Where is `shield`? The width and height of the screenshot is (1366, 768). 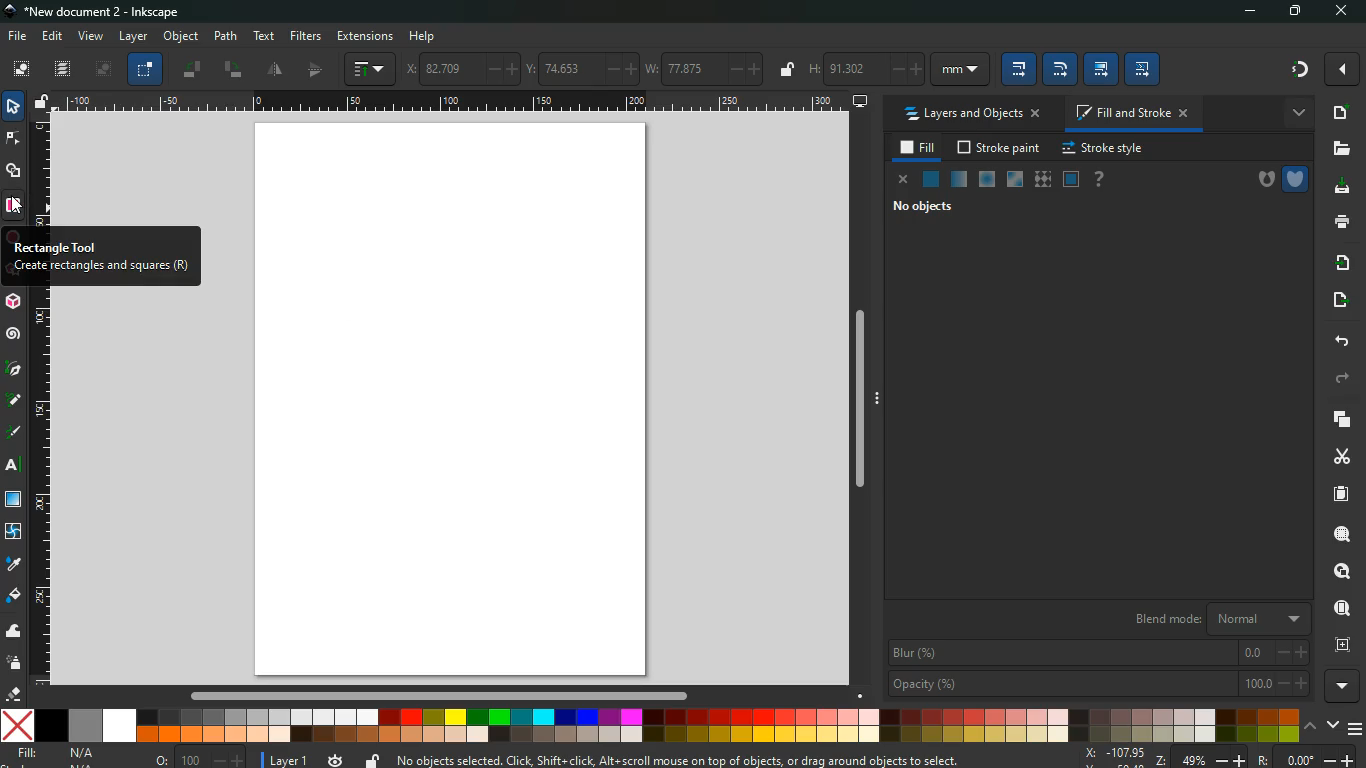 shield is located at coordinates (1296, 179).